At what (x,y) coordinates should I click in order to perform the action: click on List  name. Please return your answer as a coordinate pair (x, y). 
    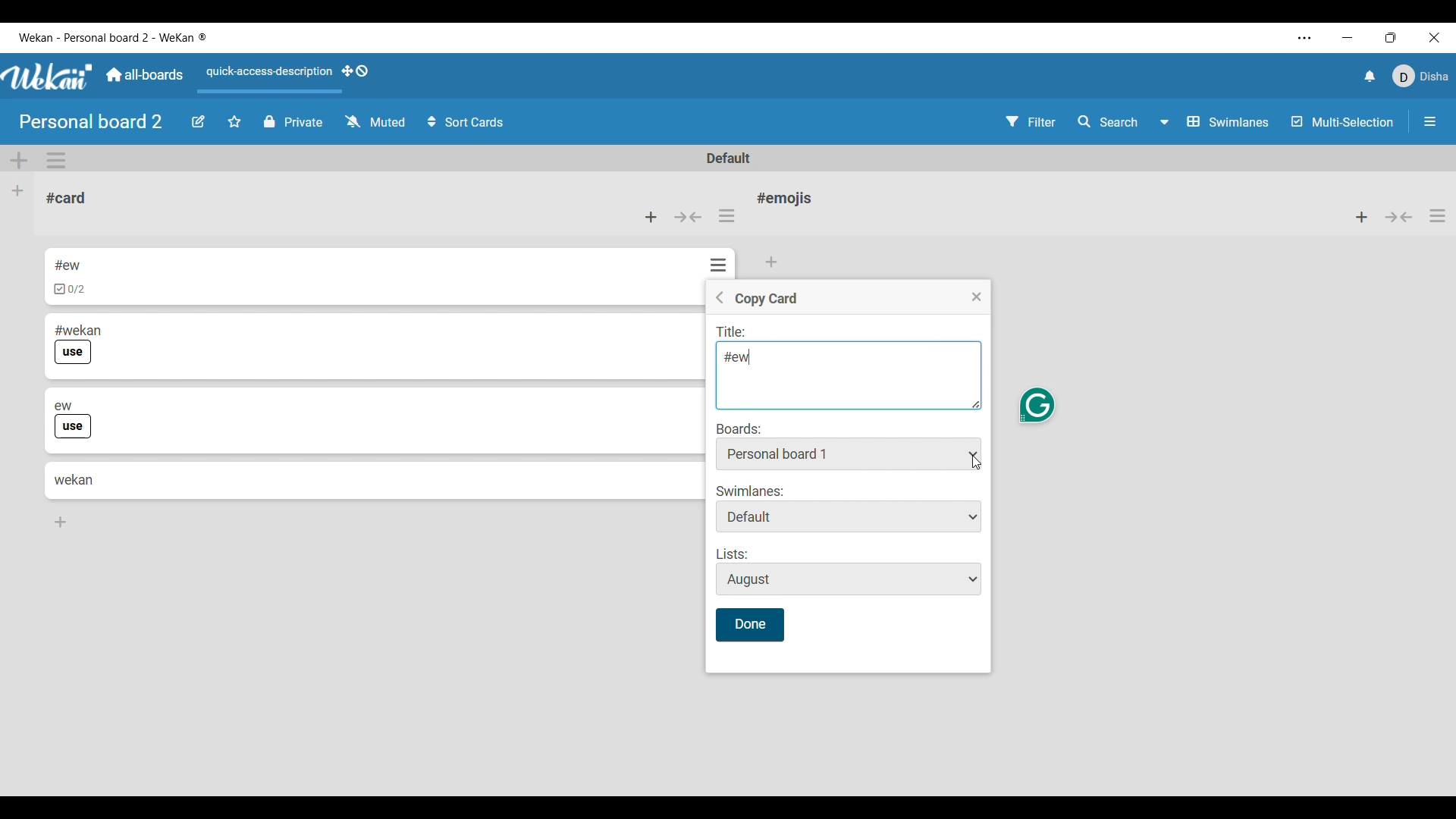
    Looking at the image, I should click on (784, 198).